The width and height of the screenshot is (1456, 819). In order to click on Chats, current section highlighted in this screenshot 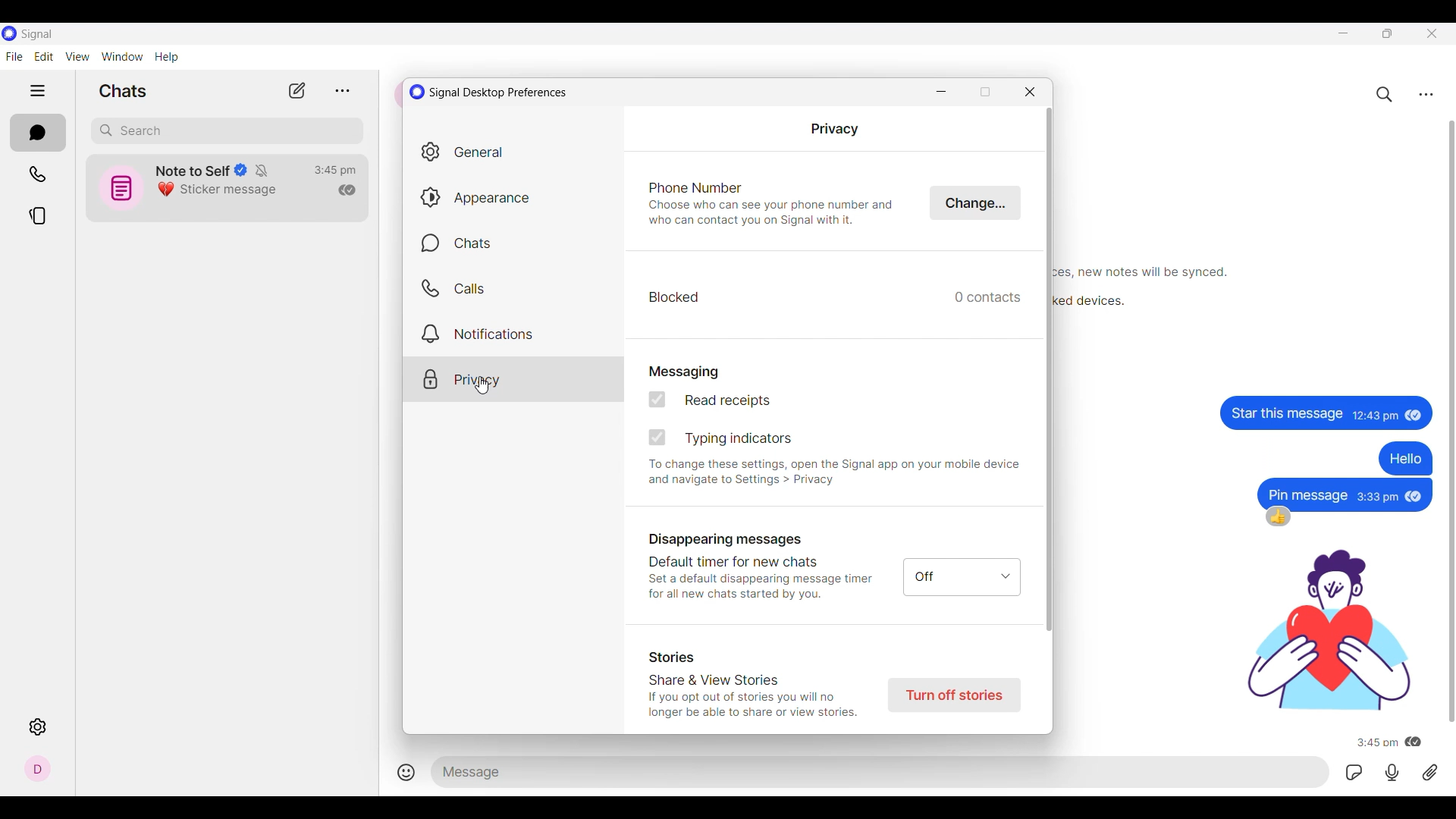, I will do `click(39, 133)`.